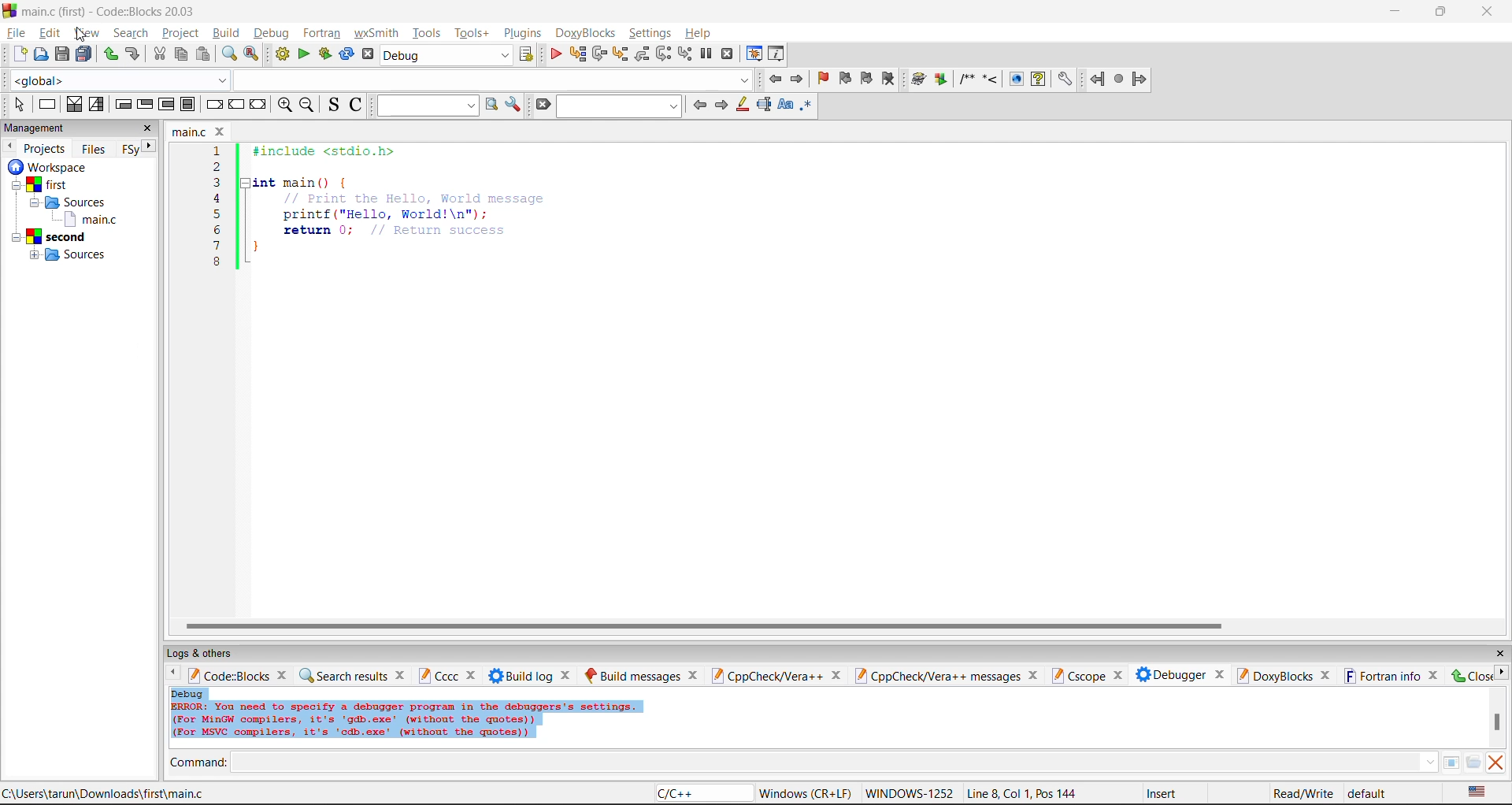  I want to click on stop debugger, so click(731, 53).